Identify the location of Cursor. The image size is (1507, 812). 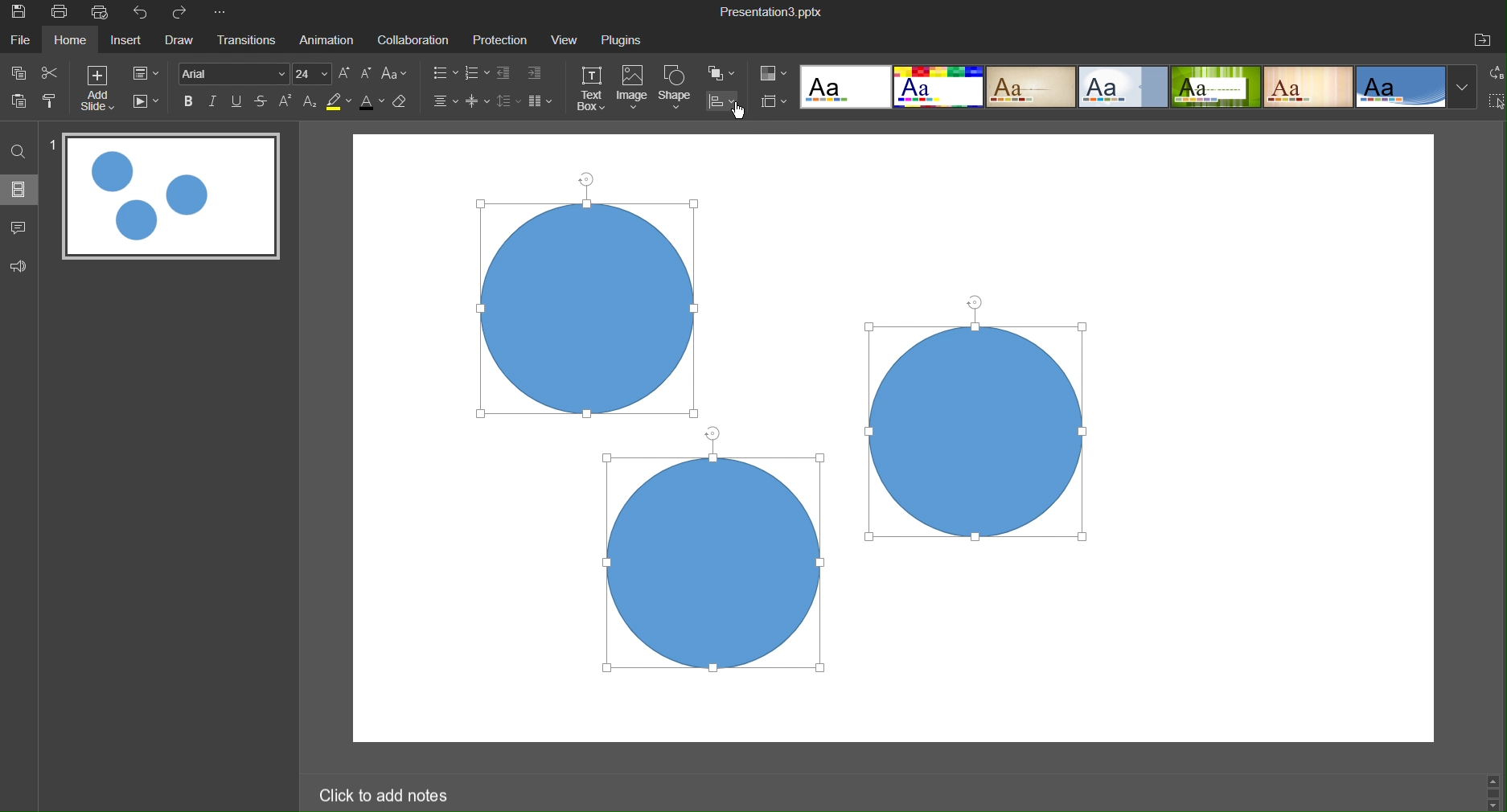
(740, 113).